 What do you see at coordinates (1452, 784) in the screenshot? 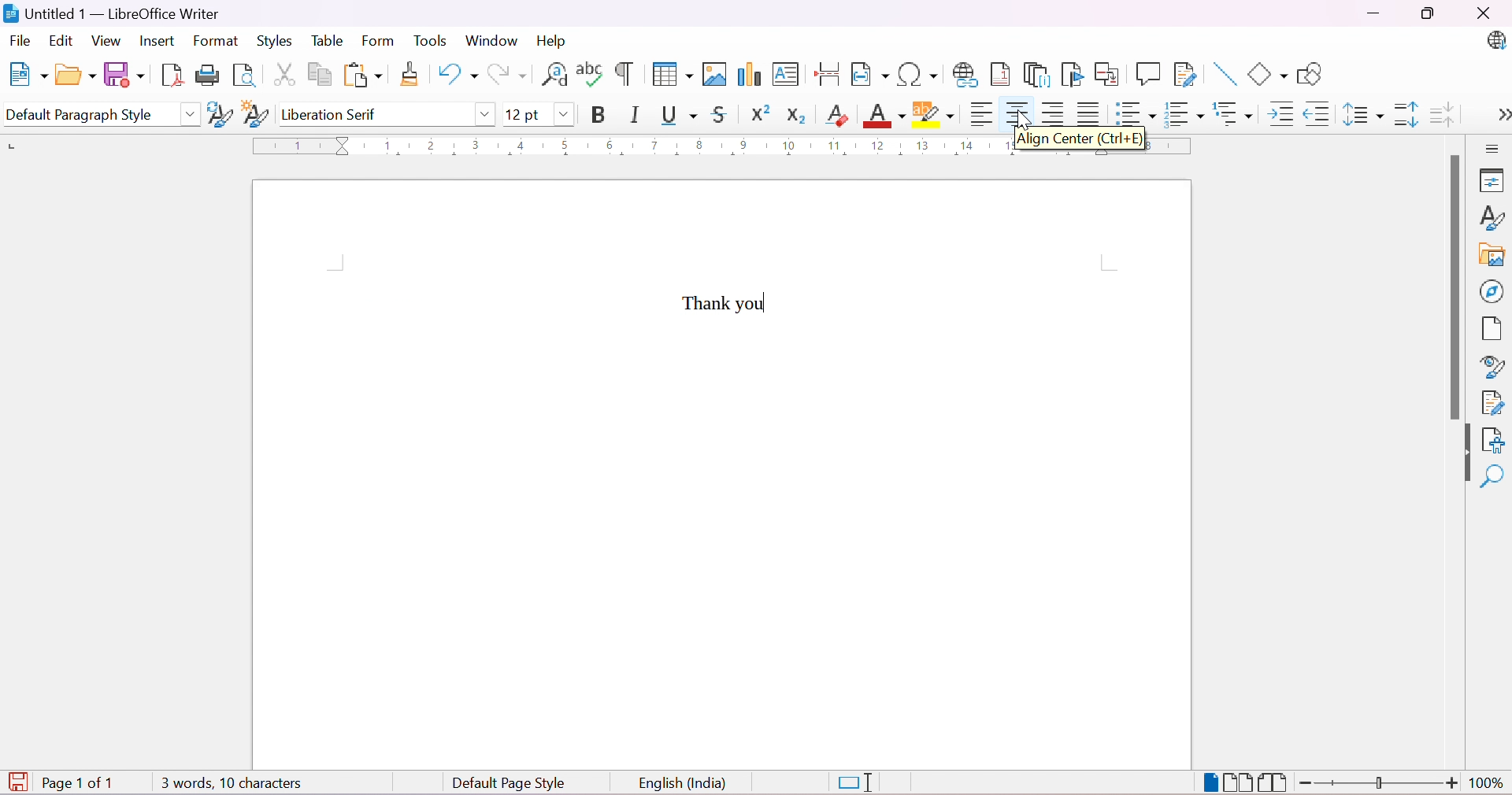
I see `Zoom In` at bounding box center [1452, 784].